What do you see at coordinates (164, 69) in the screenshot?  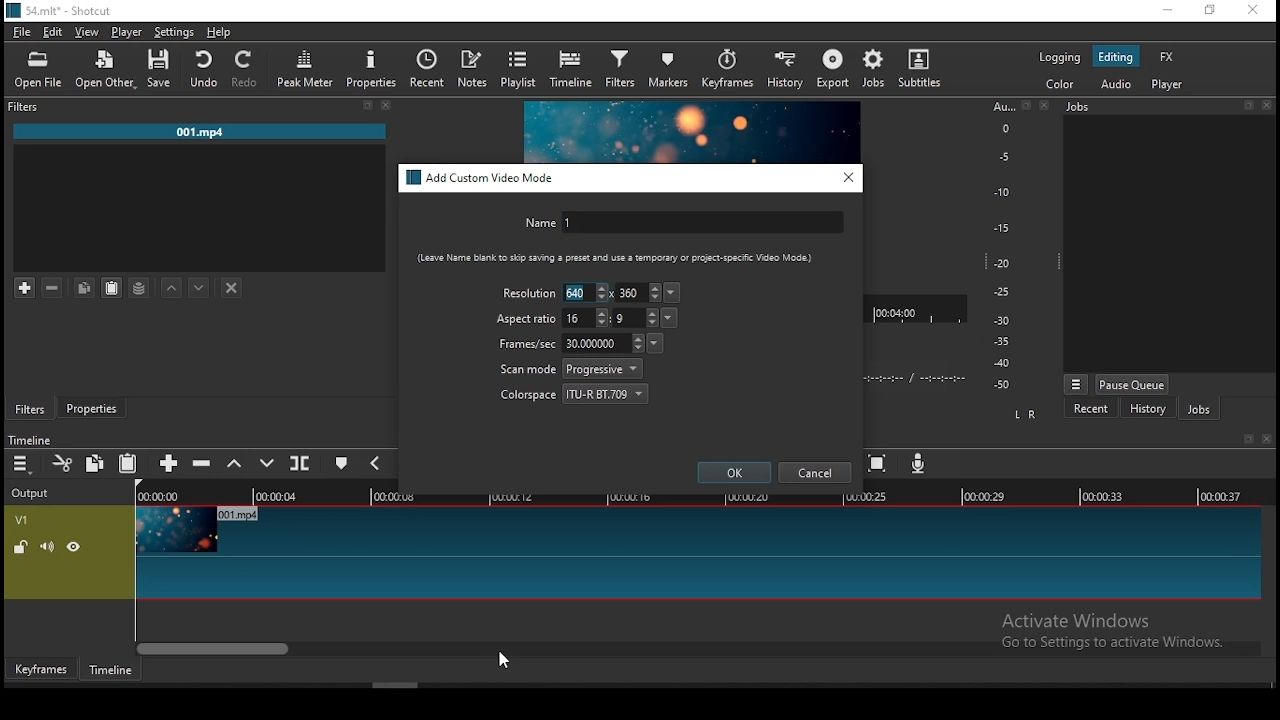 I see `save` at bounding box center [164, 69].